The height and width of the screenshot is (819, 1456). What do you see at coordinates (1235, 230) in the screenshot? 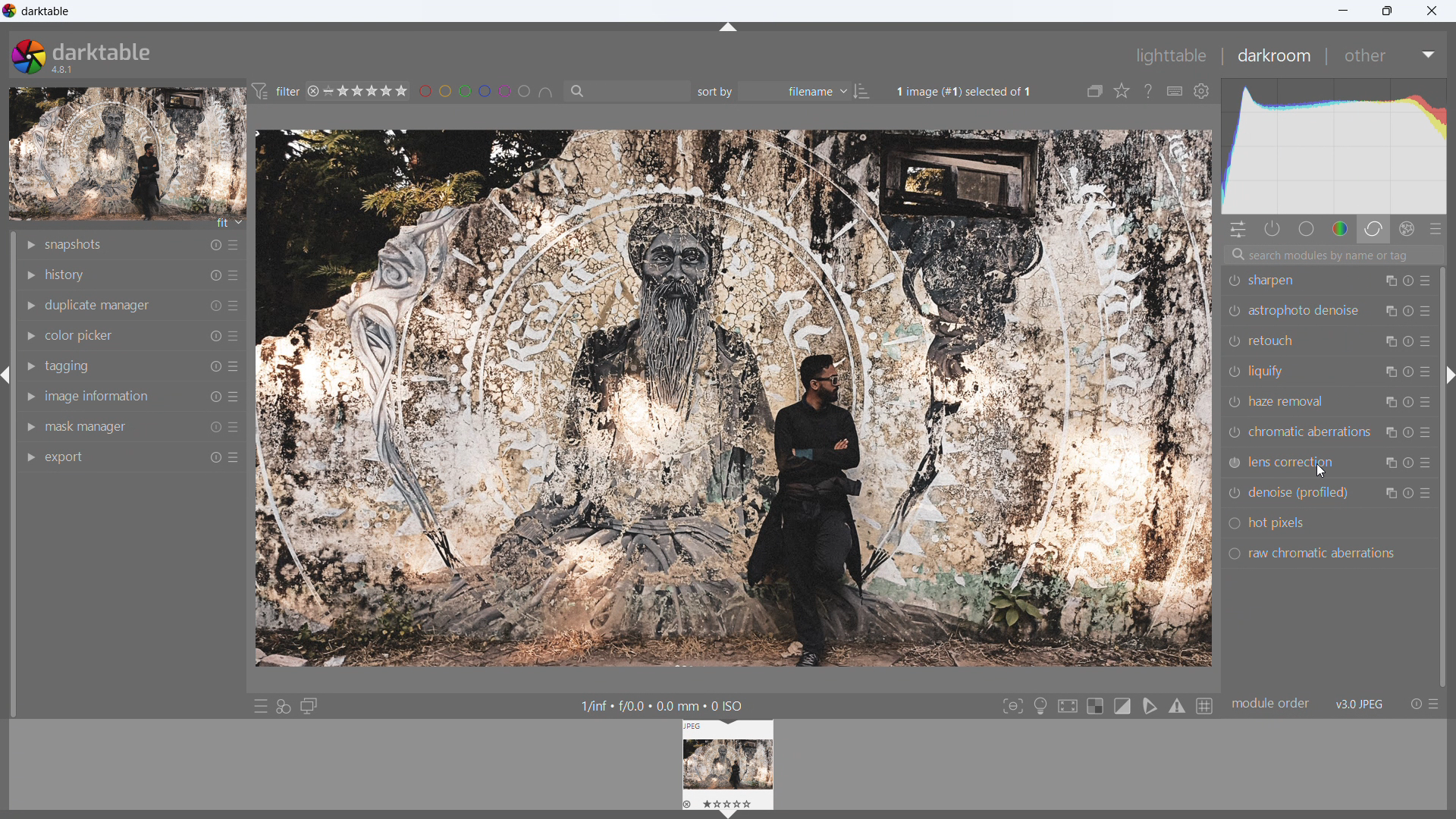
I see `quick actions panel` at bounding box center [1235, 230].